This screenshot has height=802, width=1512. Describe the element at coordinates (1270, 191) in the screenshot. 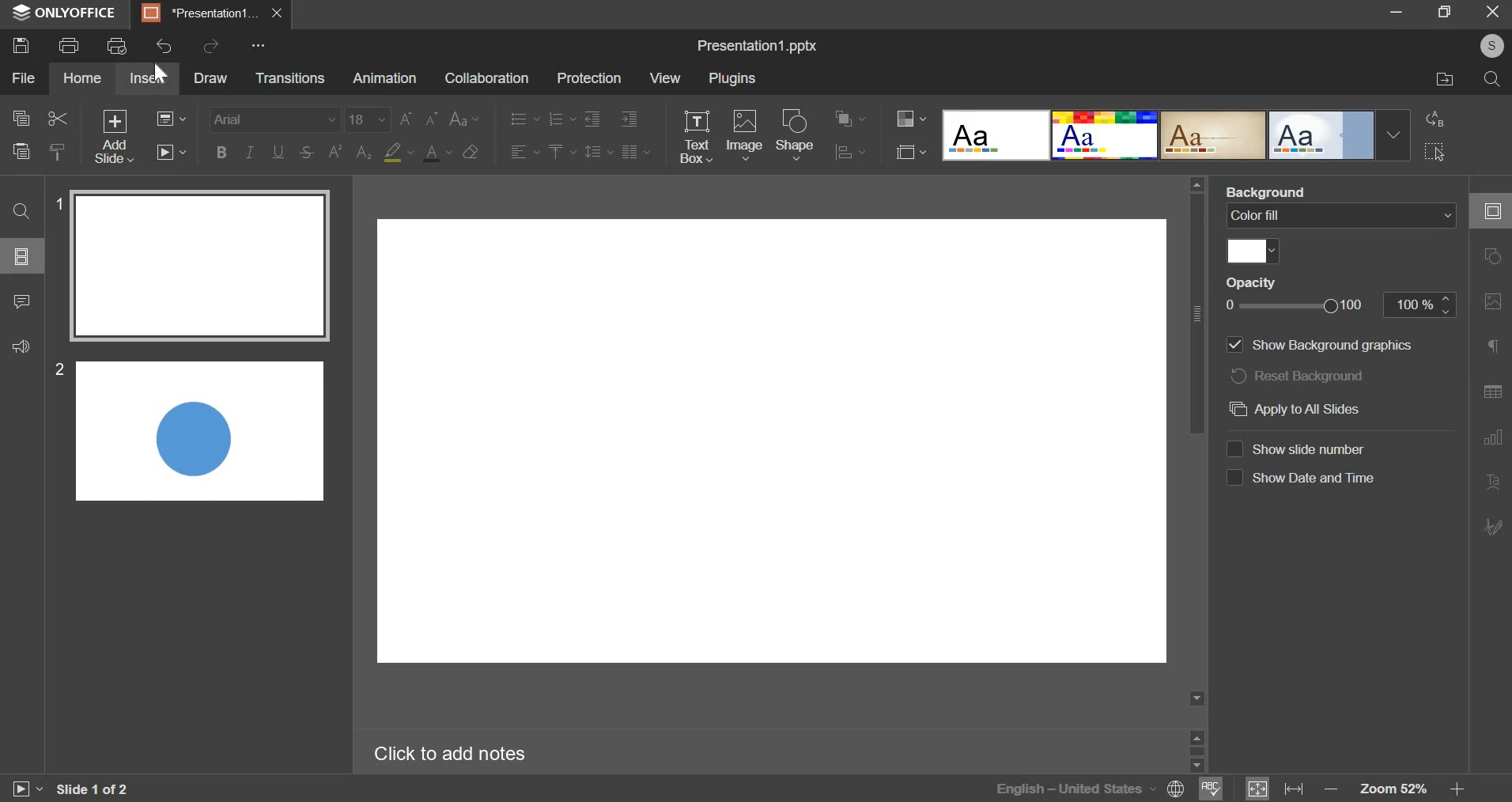

I see `background` at that location.